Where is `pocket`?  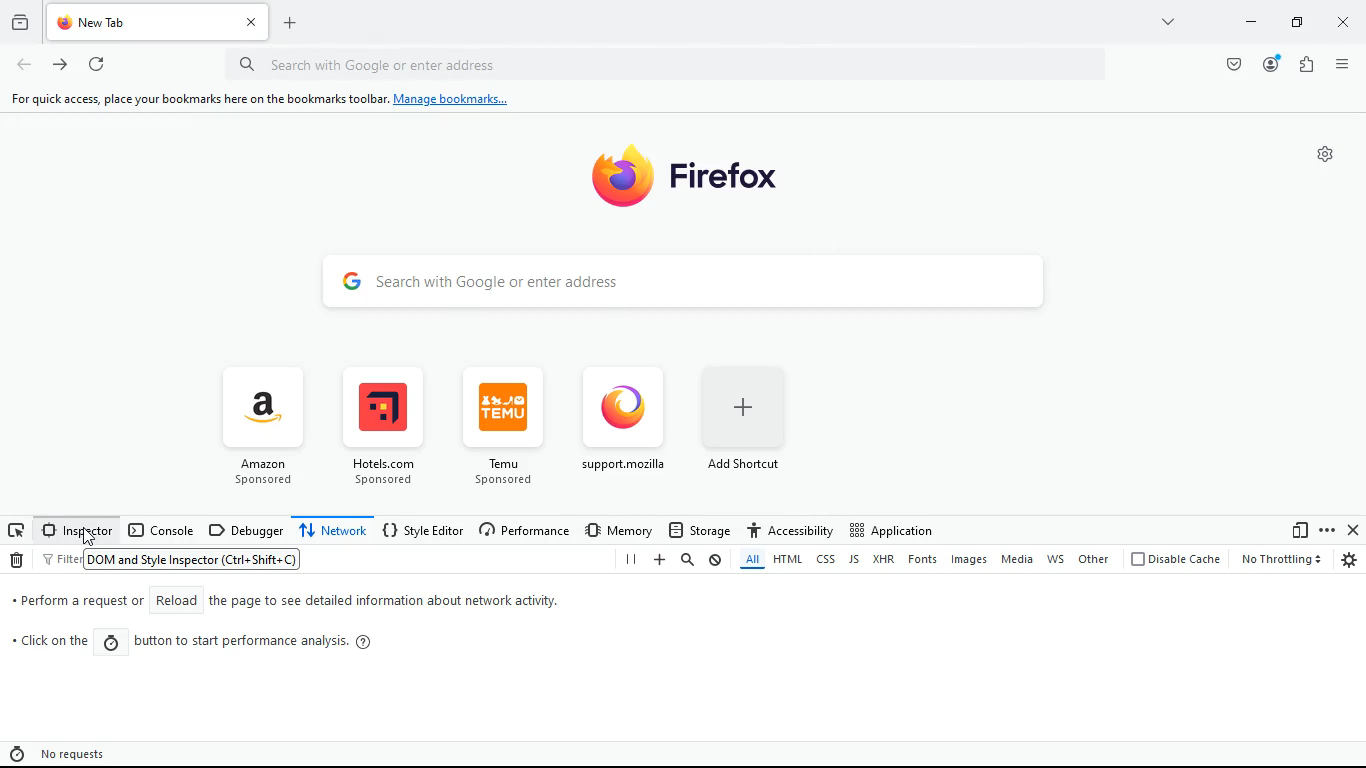 pocket is located at coordinates (1230, 64).